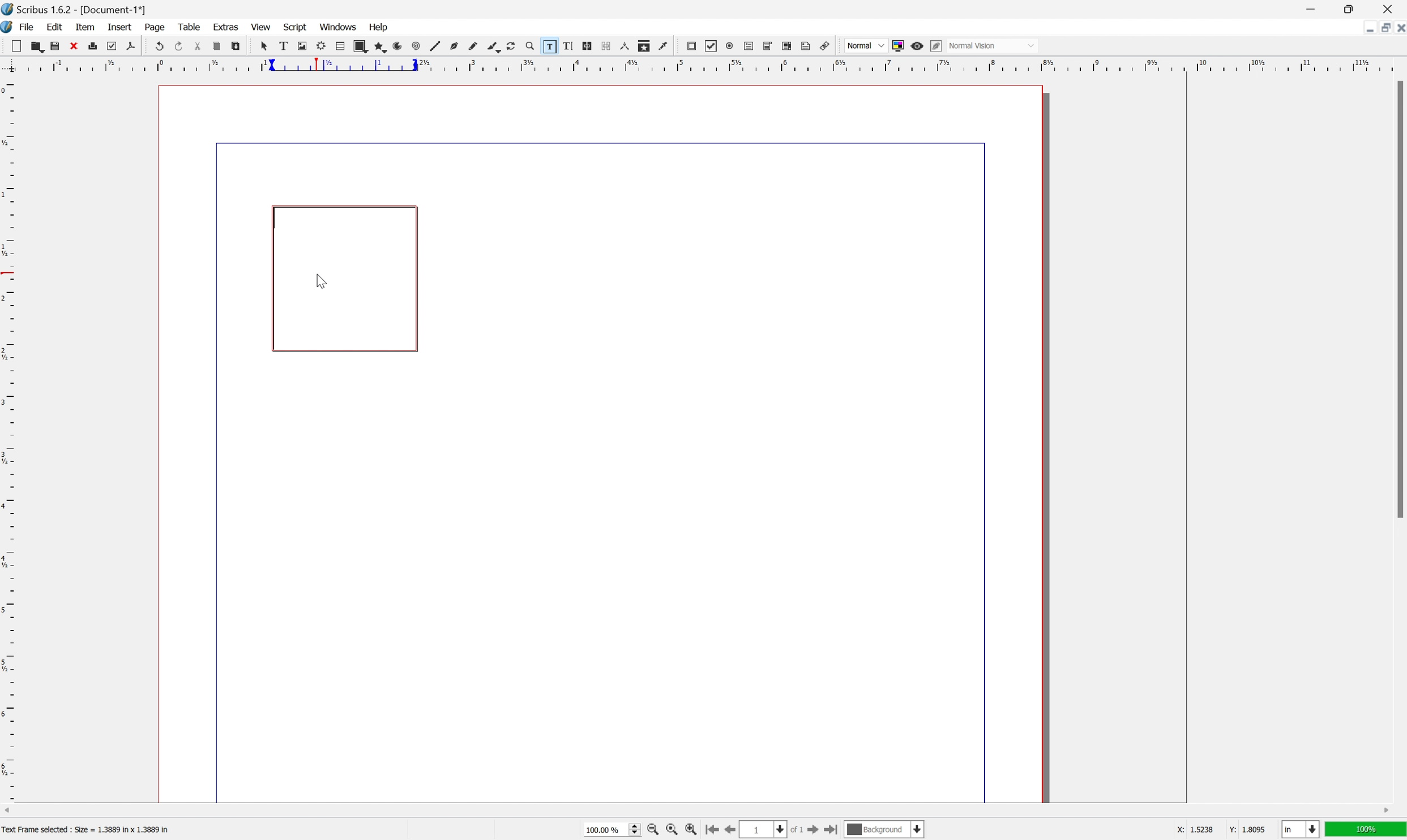 Image resolution: width=1407 pixels, height=840 pixels. I want to click on restore down, so click(1380, 28).